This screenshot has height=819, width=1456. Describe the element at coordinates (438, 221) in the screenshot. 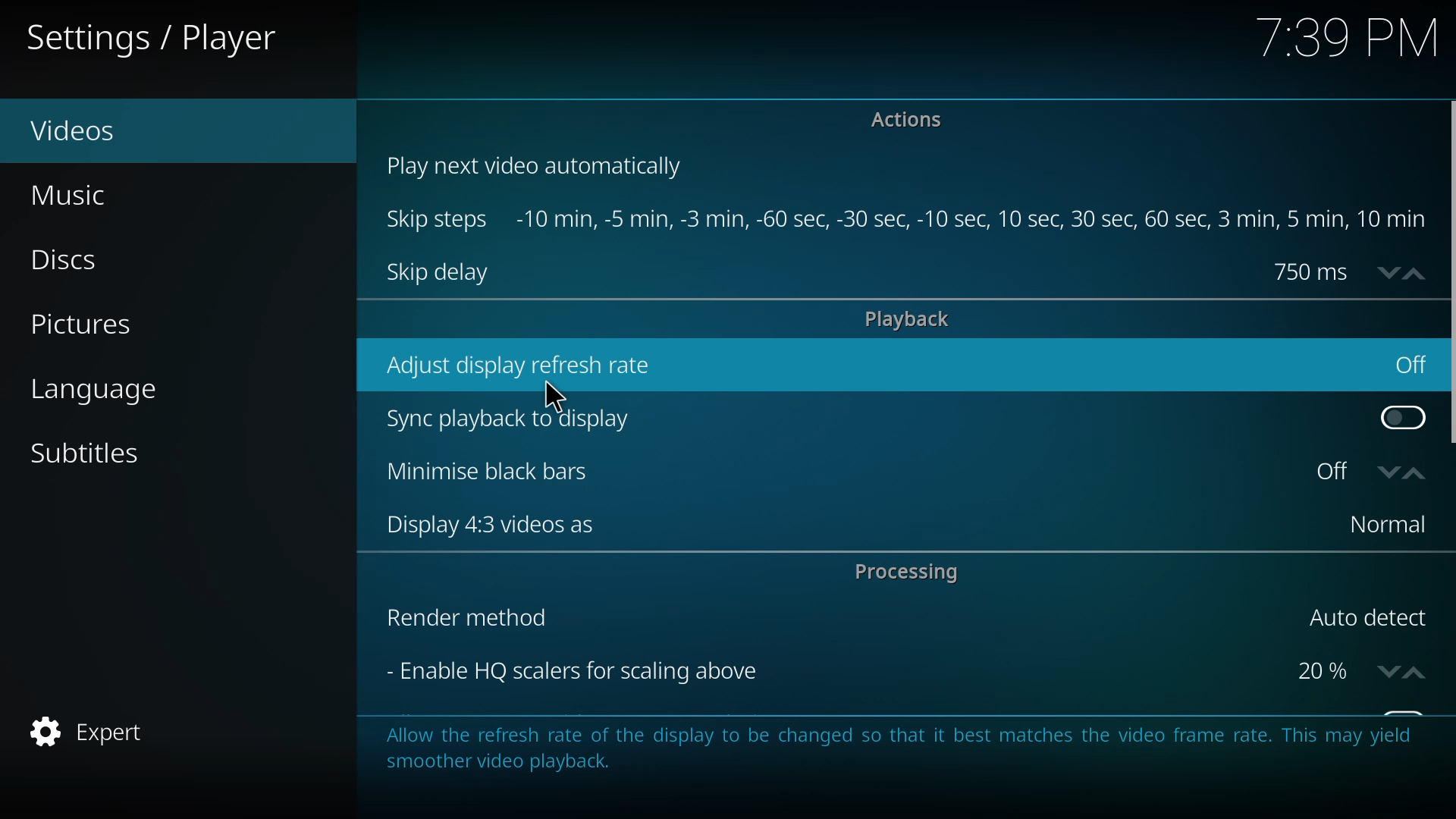

I see `skip steps` at that location.